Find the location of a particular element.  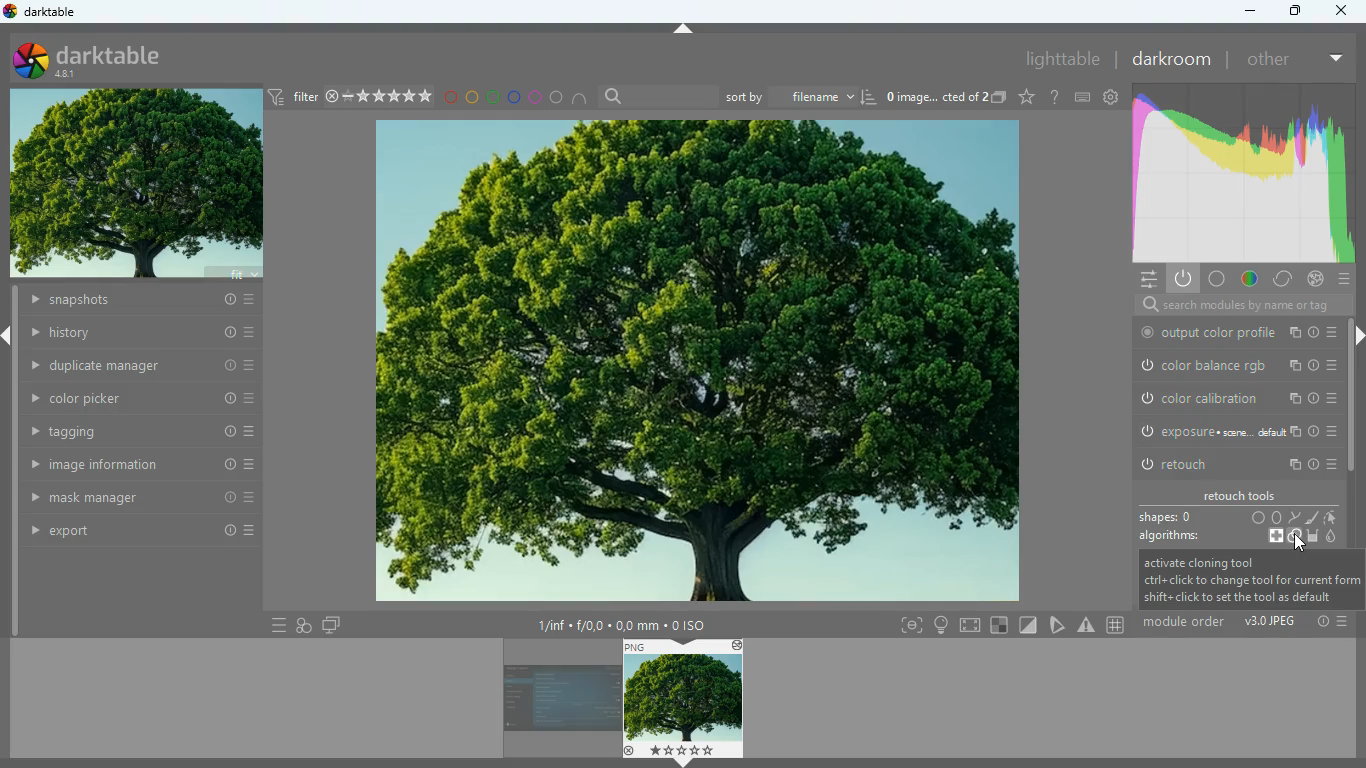

color picker is located at coordinates (143, 401).